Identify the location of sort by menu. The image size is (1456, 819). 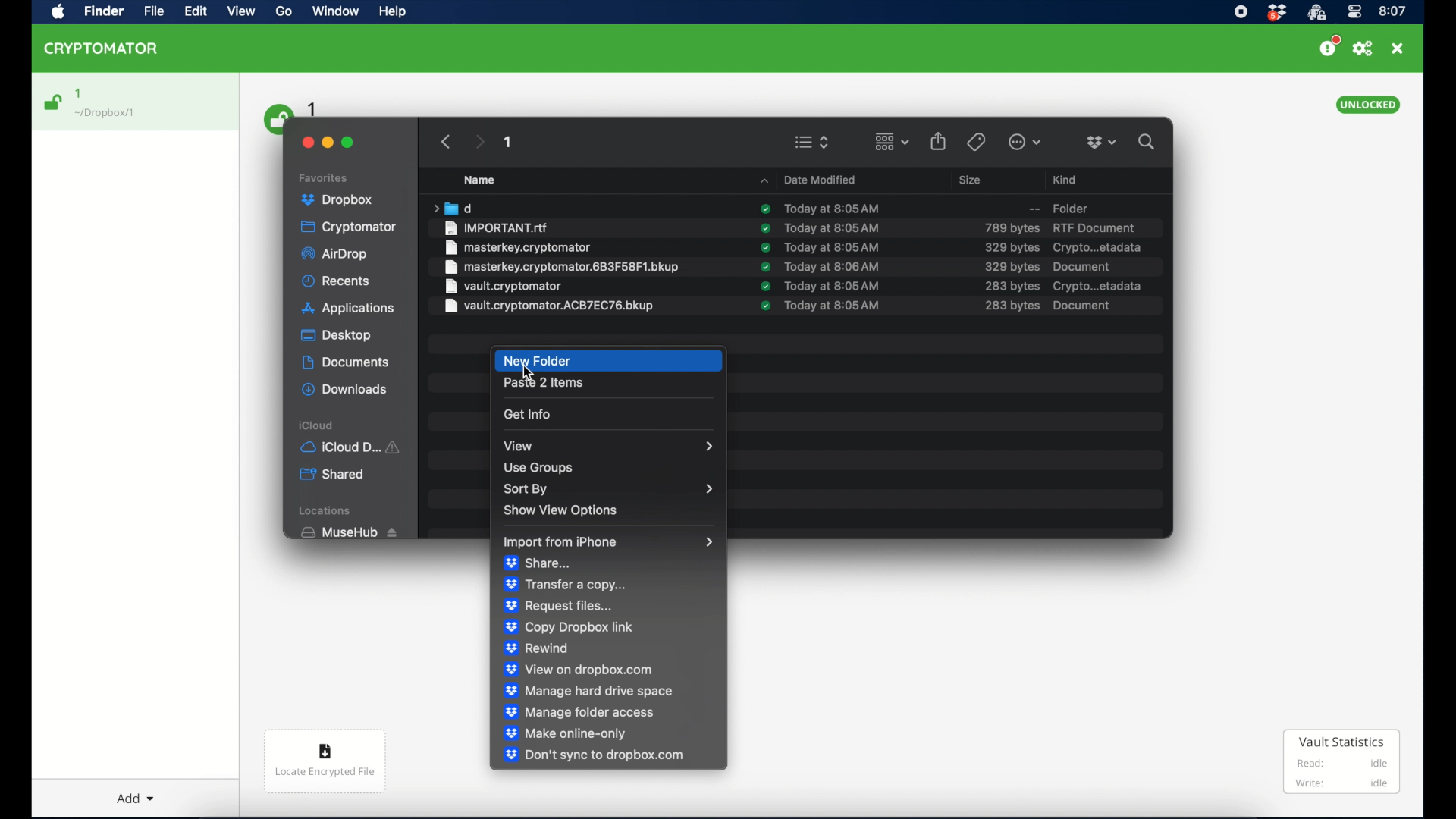
(607, 489).